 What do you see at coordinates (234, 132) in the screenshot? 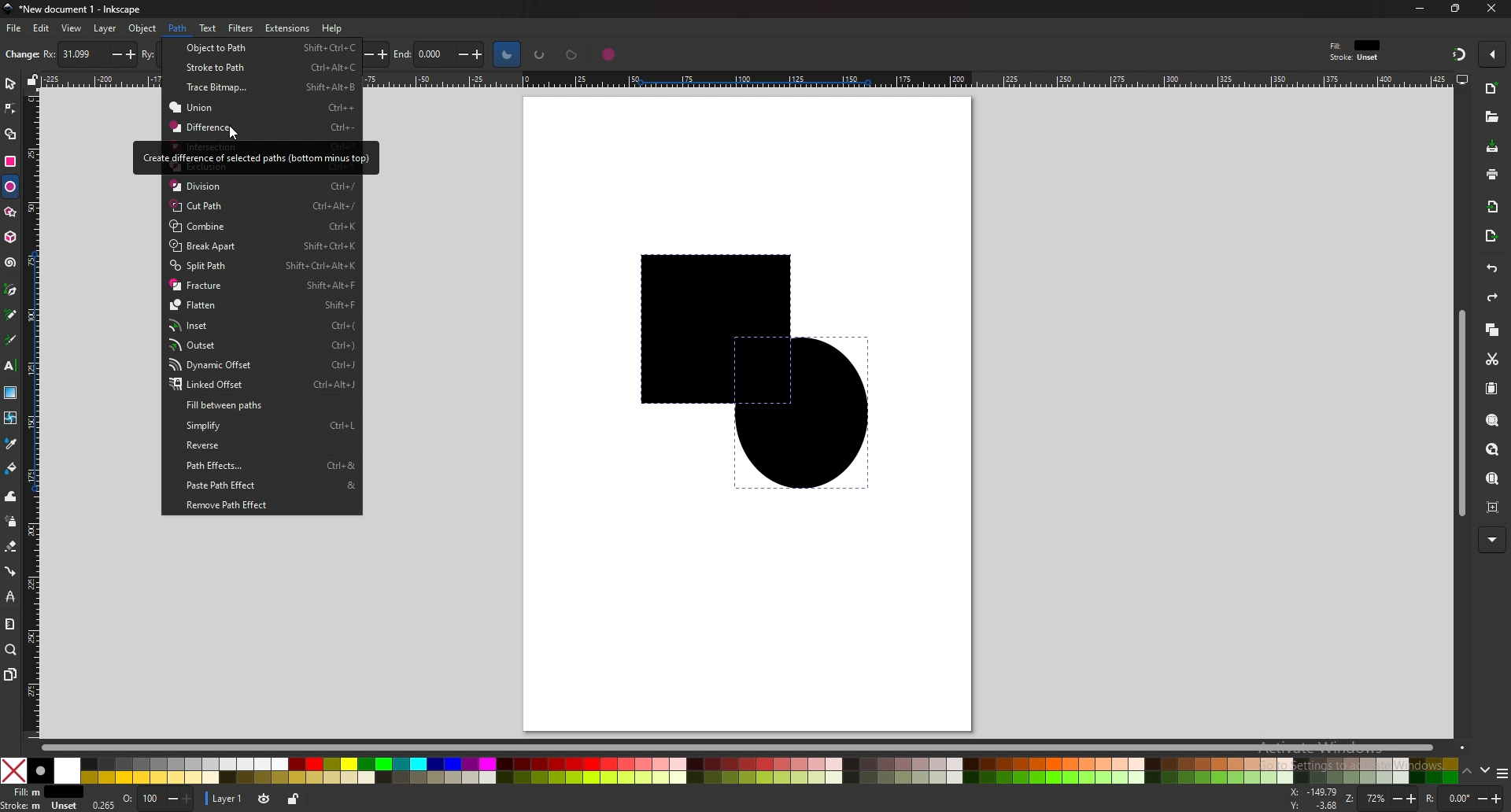
I see `cursor` at bounding box center [234, 132].